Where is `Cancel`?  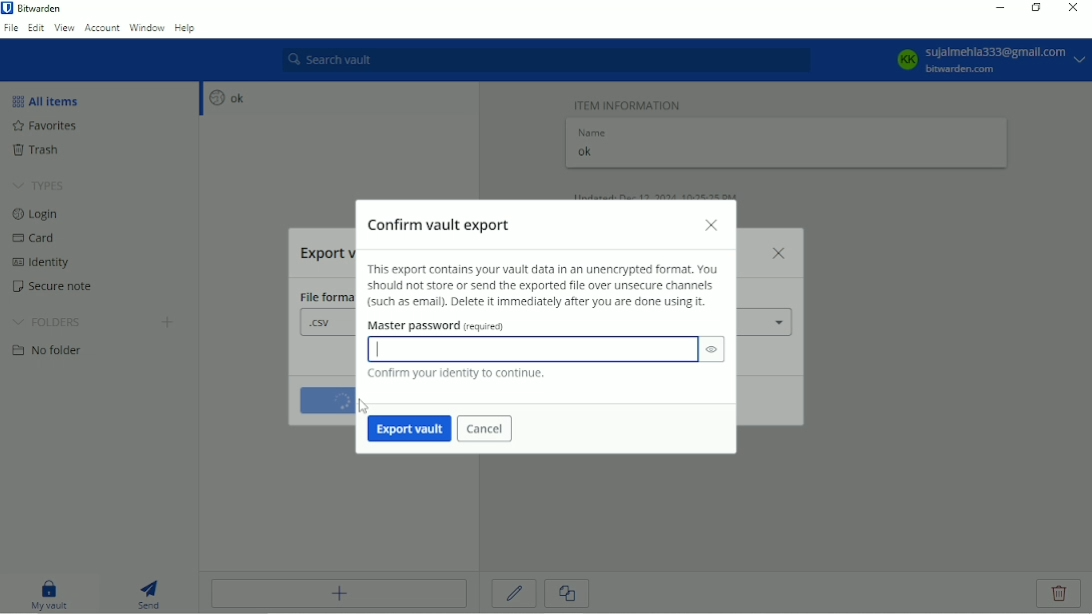
Cancel is located at coordinates (486, 430).